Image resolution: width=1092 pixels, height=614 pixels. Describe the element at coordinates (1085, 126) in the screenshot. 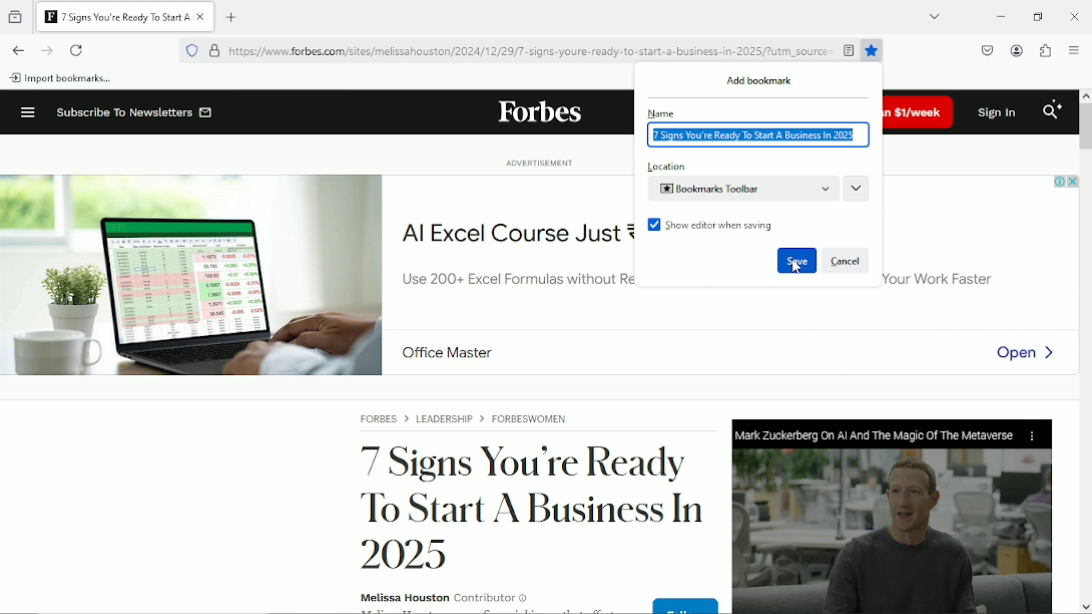

I see `Vertical scrollbar` at that location.